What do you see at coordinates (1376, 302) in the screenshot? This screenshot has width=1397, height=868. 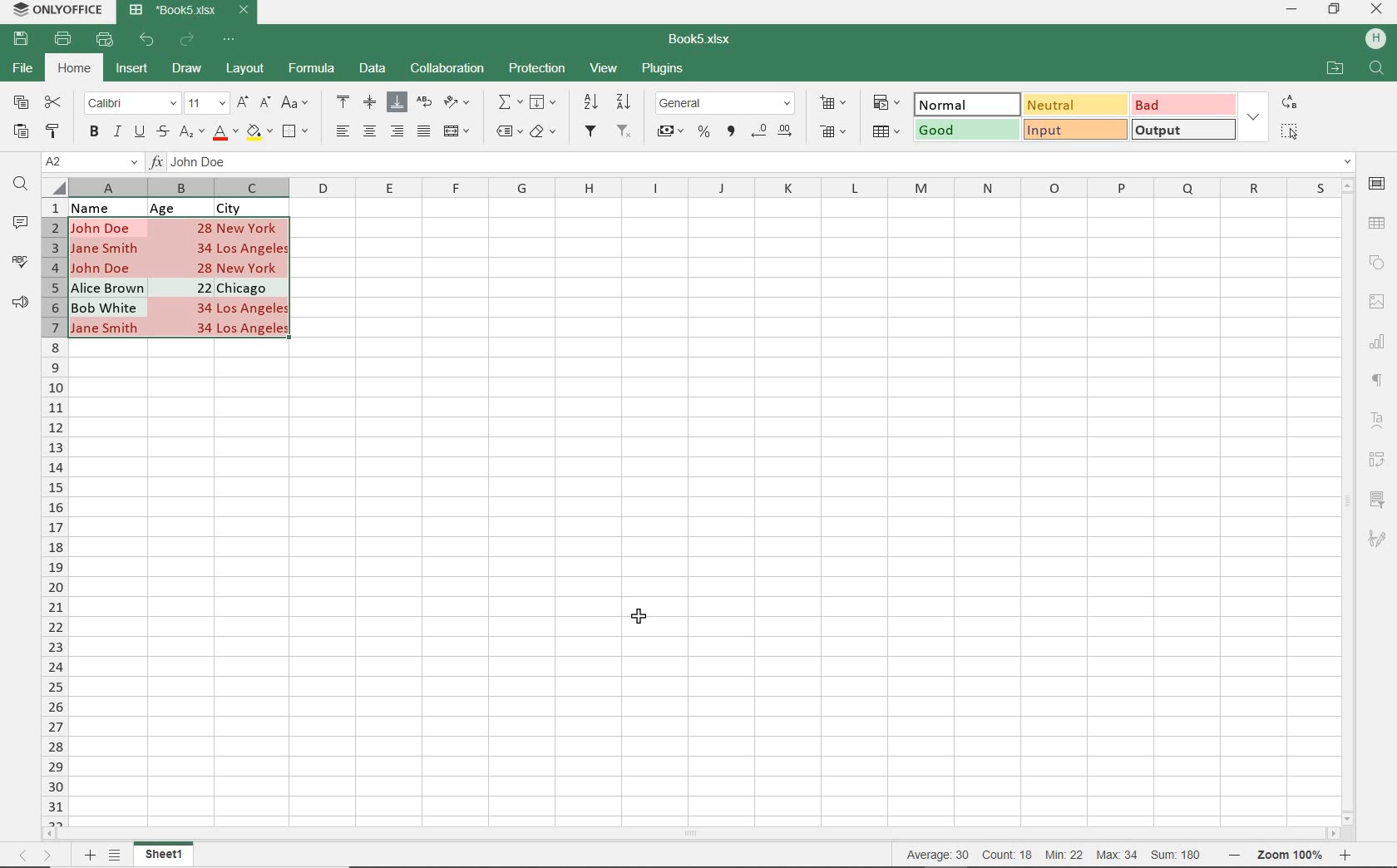 I see `IMAGE` at bounding box center [1376, 302].